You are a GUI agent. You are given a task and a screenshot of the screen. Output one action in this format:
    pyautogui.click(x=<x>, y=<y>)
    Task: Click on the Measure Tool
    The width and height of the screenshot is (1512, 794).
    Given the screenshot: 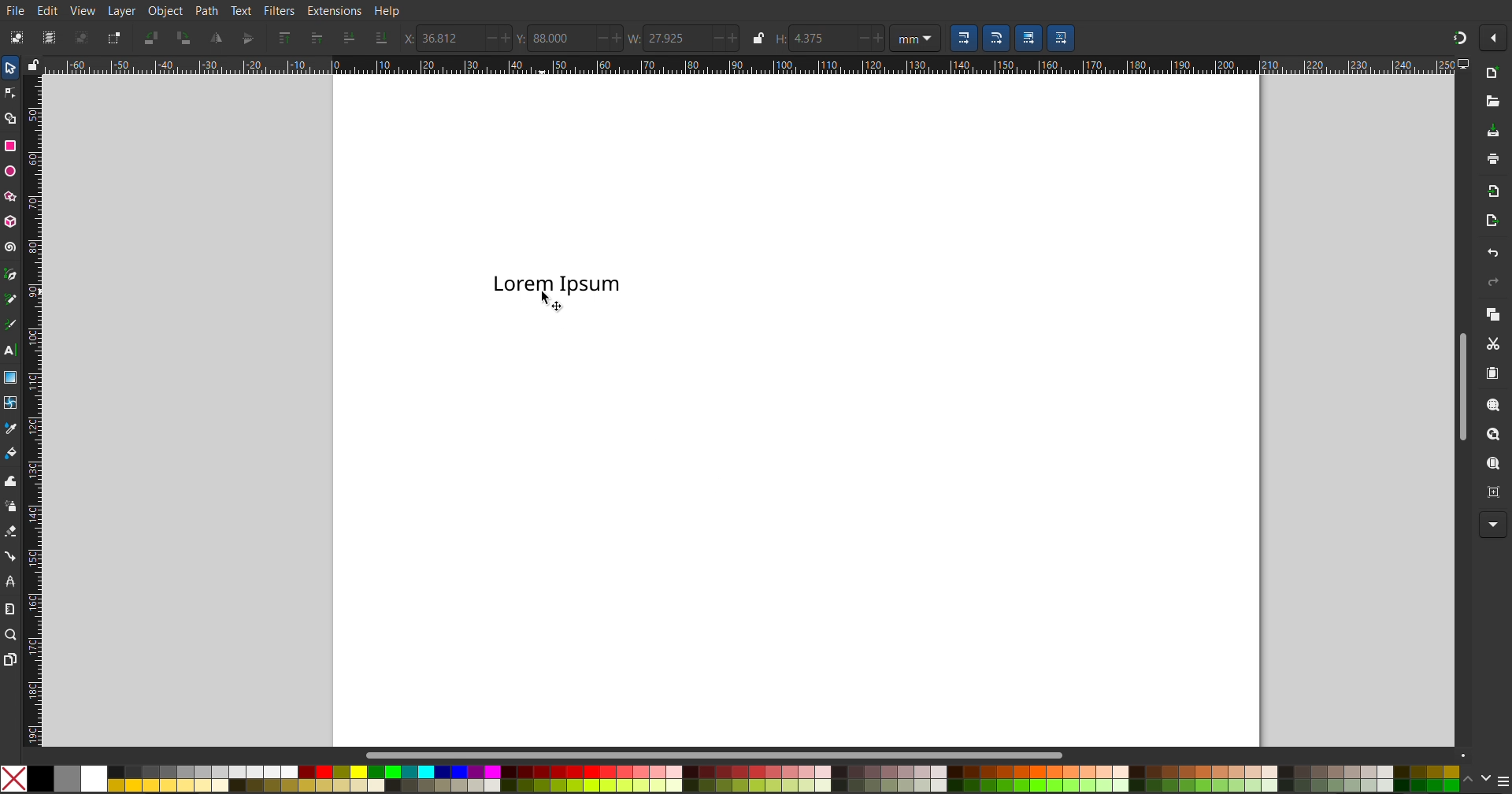 What is the action you would take?
    pyautogui.click(x=11, y=608)
    